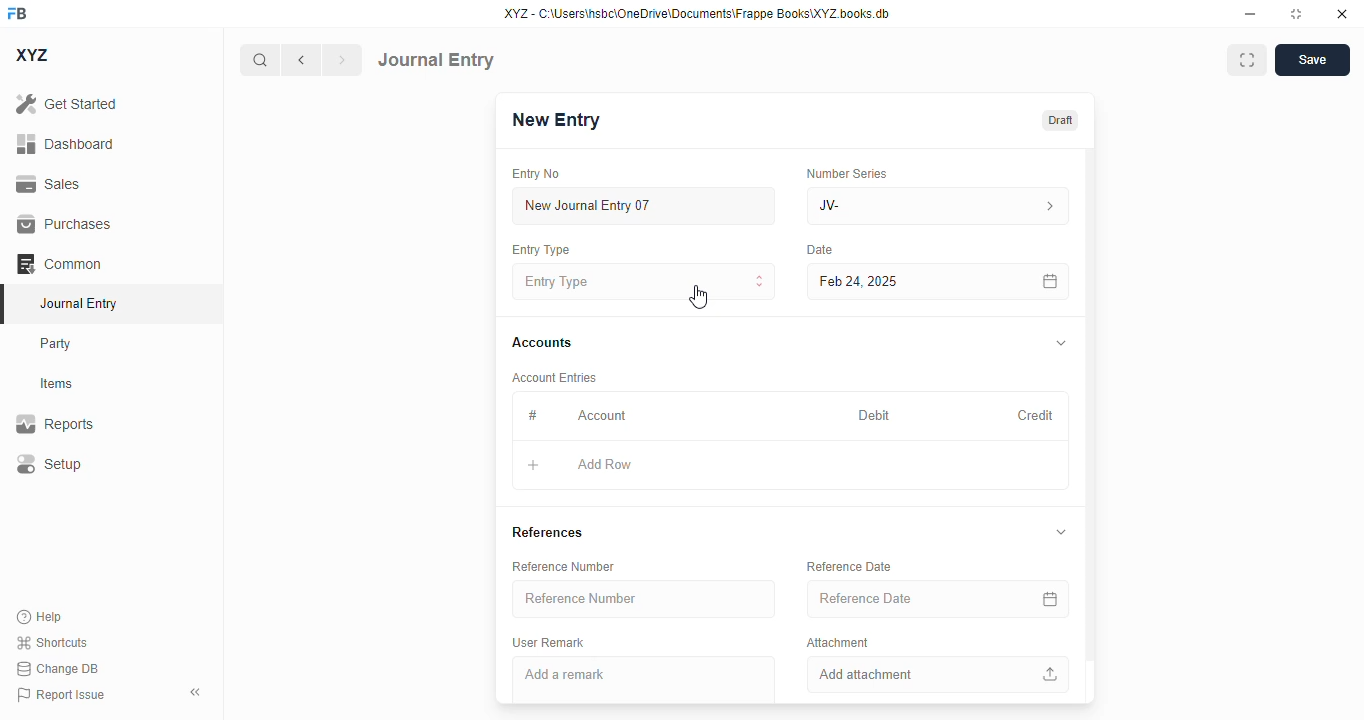 The width and height of the screenshot is (1364, 720). Describe the element at coordinates (80, 303) in the screenshot. I see `journal entry` at that location.